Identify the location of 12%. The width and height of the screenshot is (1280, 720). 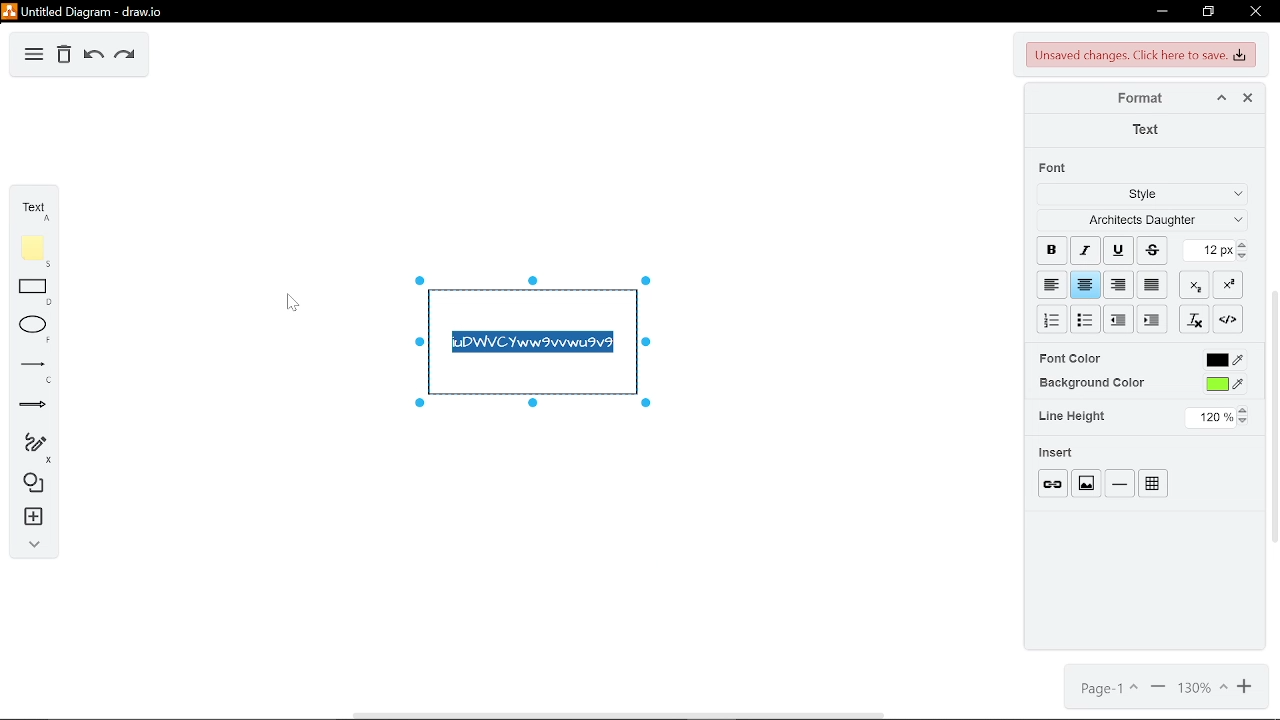
(1210, 417).